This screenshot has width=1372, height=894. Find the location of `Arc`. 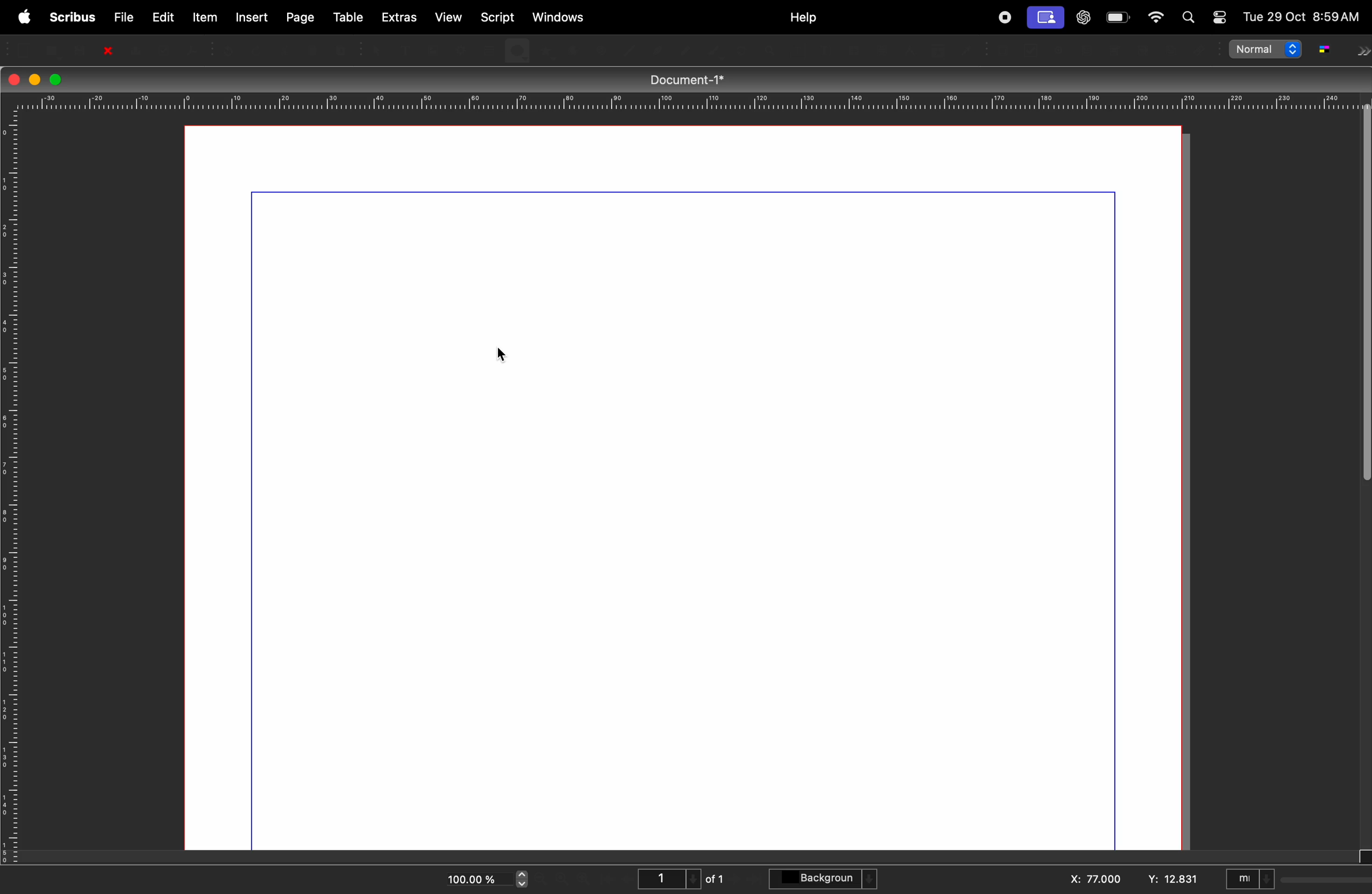

Arc is located at coordinates (572, 50).